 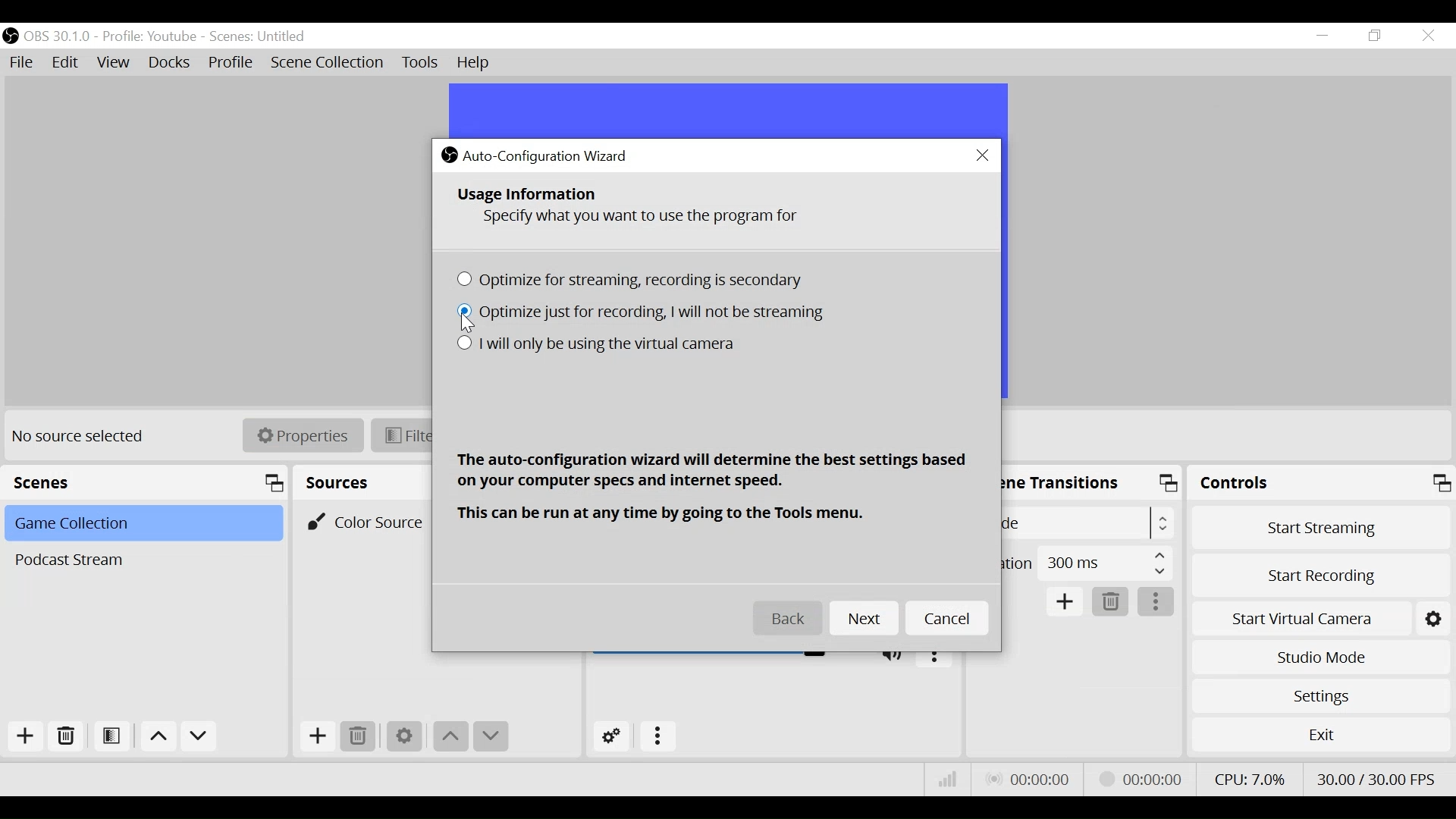 I want to click on Profile, so click(x=231, y=62).